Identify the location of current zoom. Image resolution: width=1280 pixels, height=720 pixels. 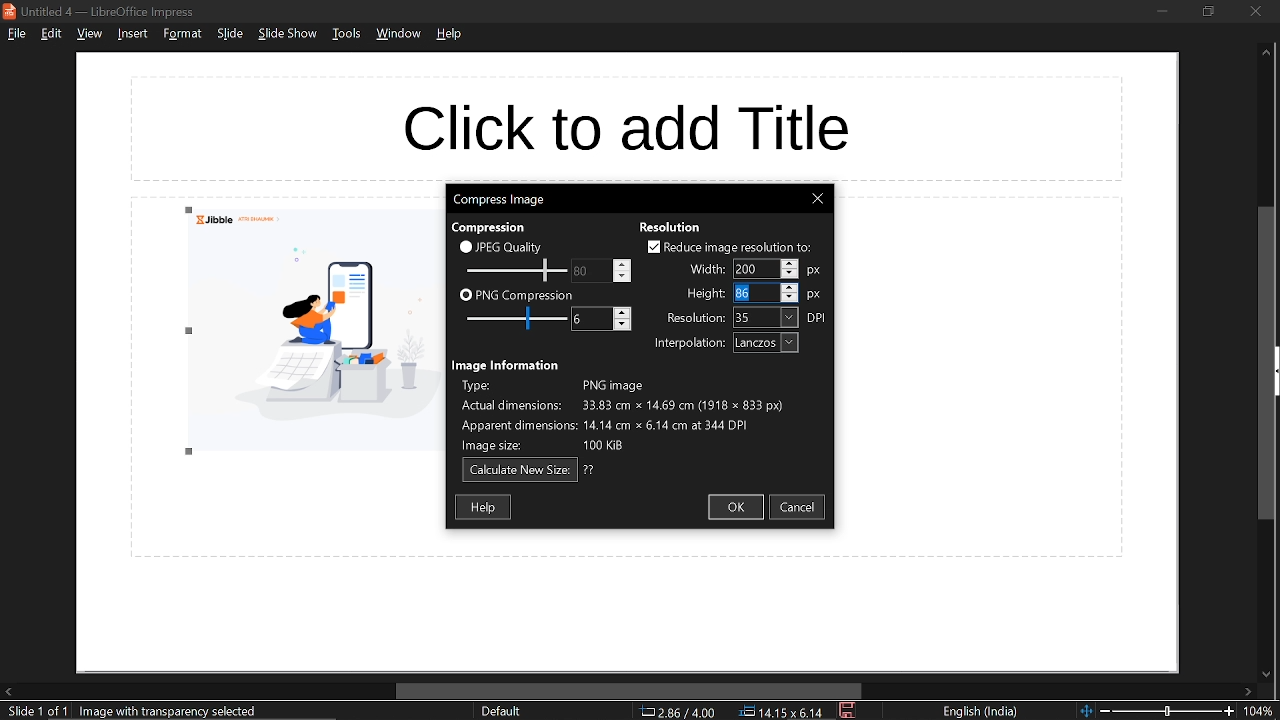
(1262, 712).